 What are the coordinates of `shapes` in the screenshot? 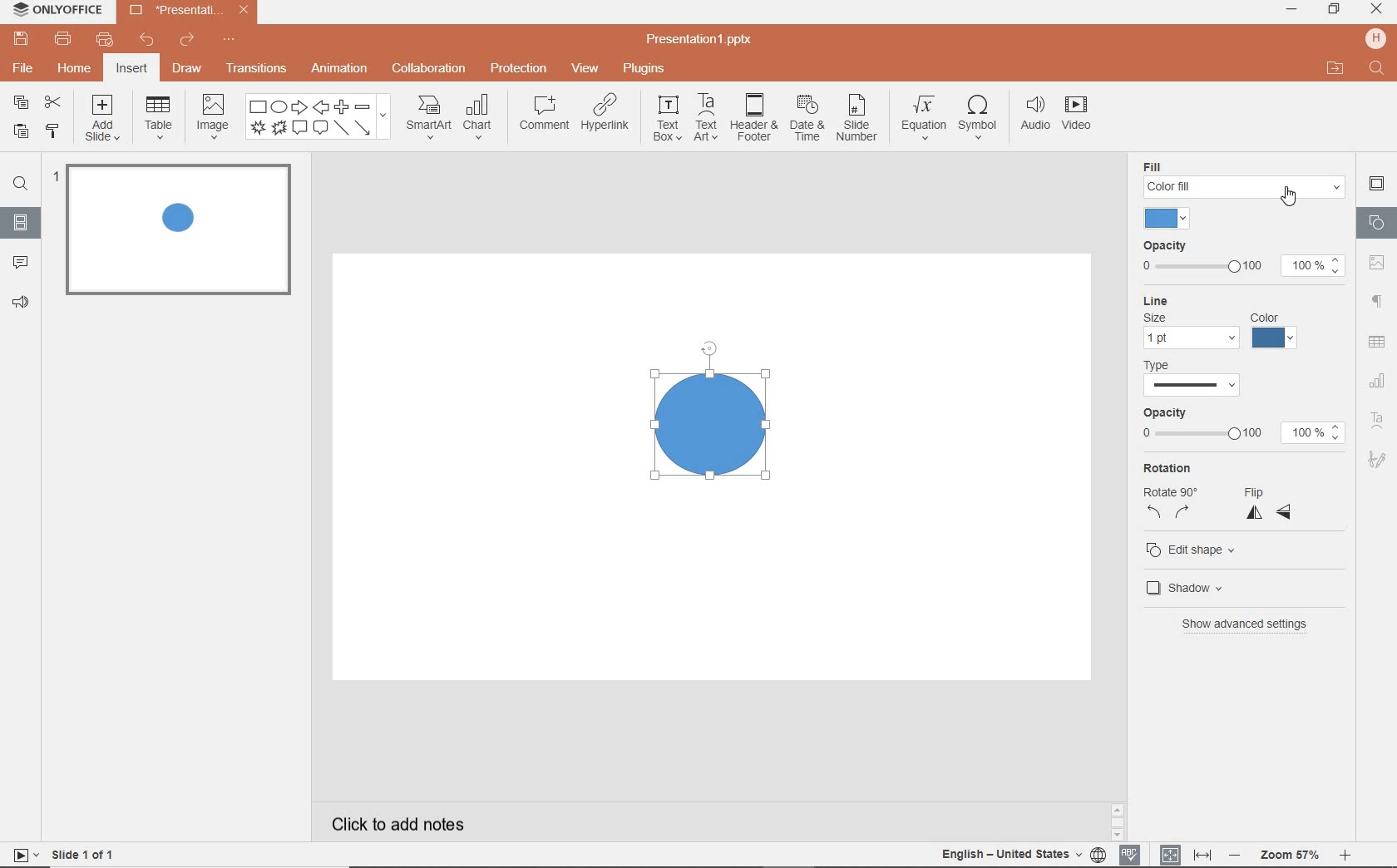 It's located at (318, 117).